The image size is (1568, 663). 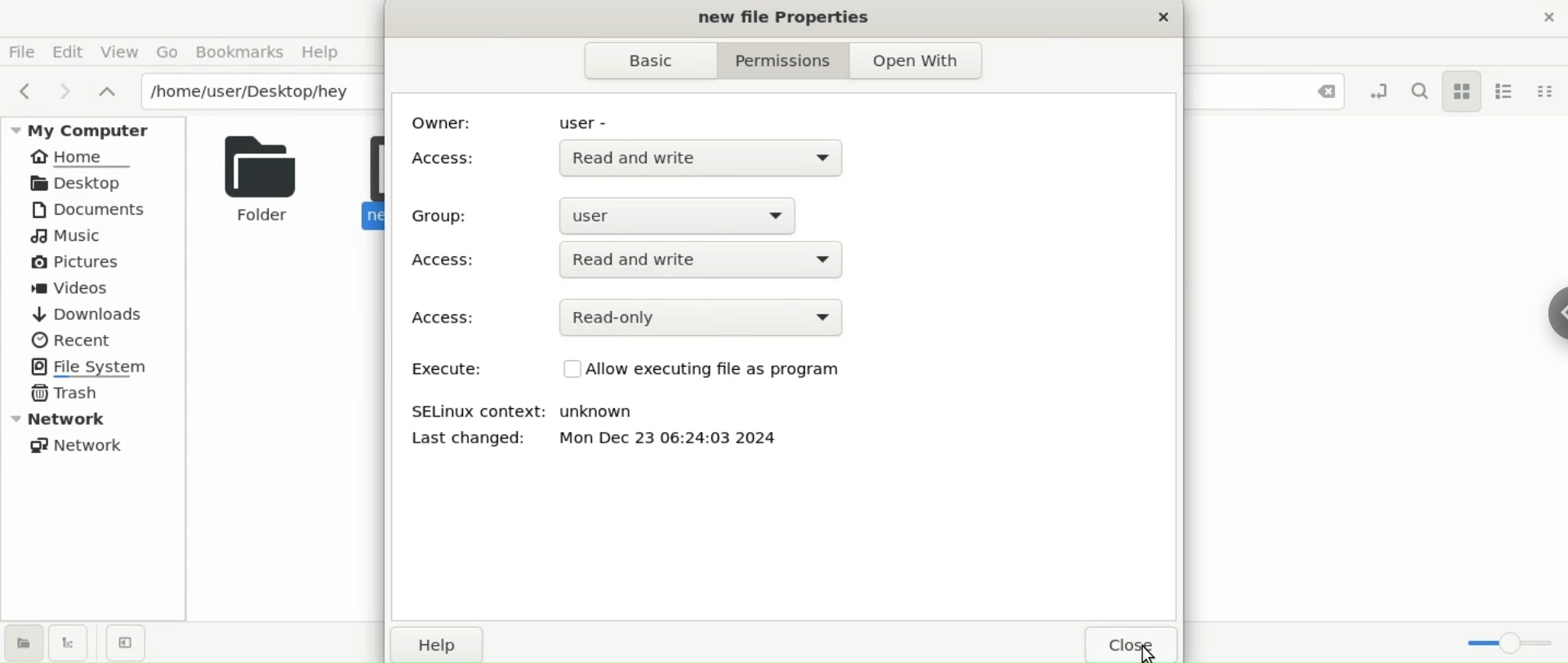 I want to click on Bookmarks, so click(x=240, y=52).